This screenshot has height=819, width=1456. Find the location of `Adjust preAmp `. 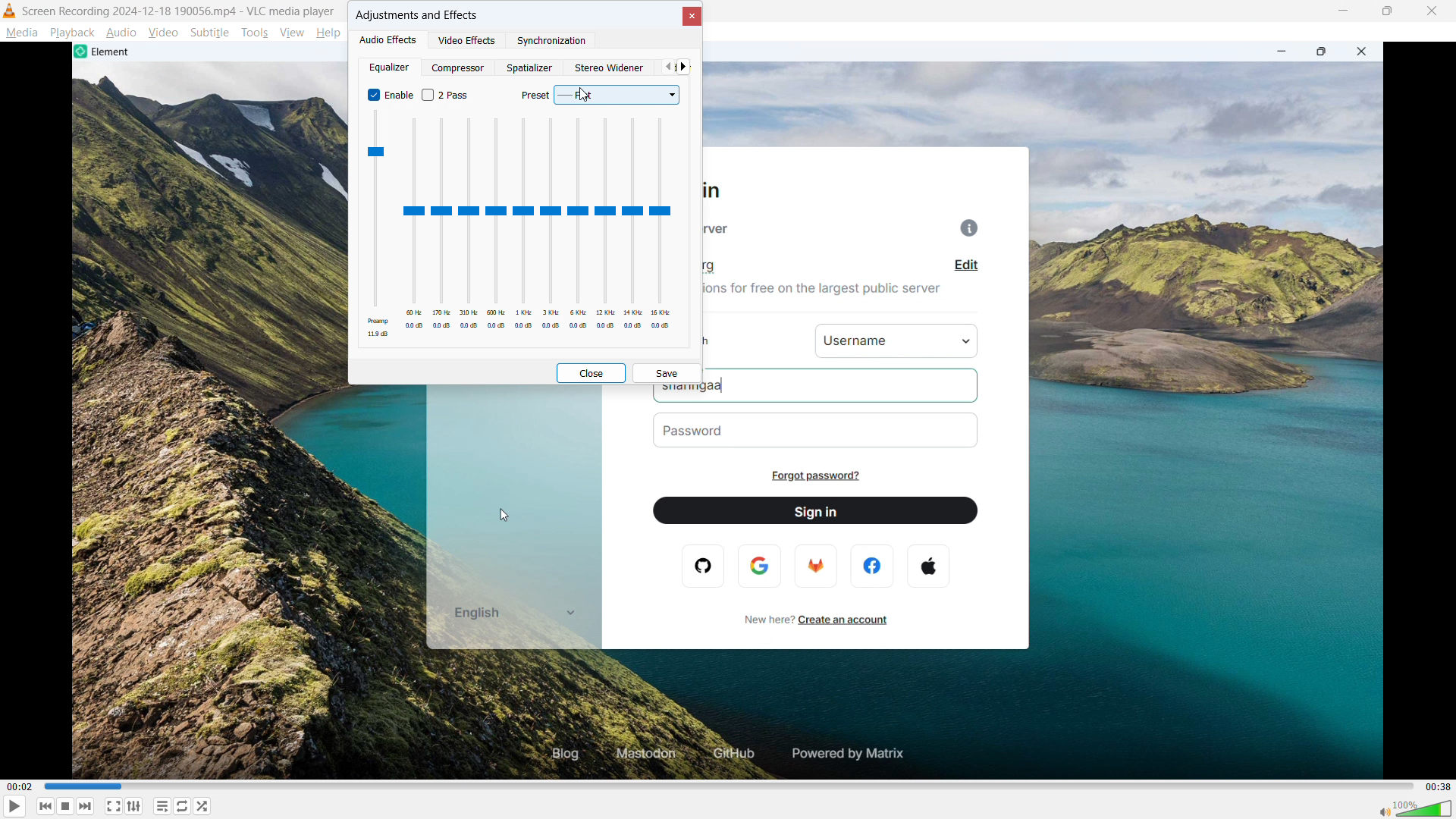

Adjust preAmp  is located at coordinates (377, 224).